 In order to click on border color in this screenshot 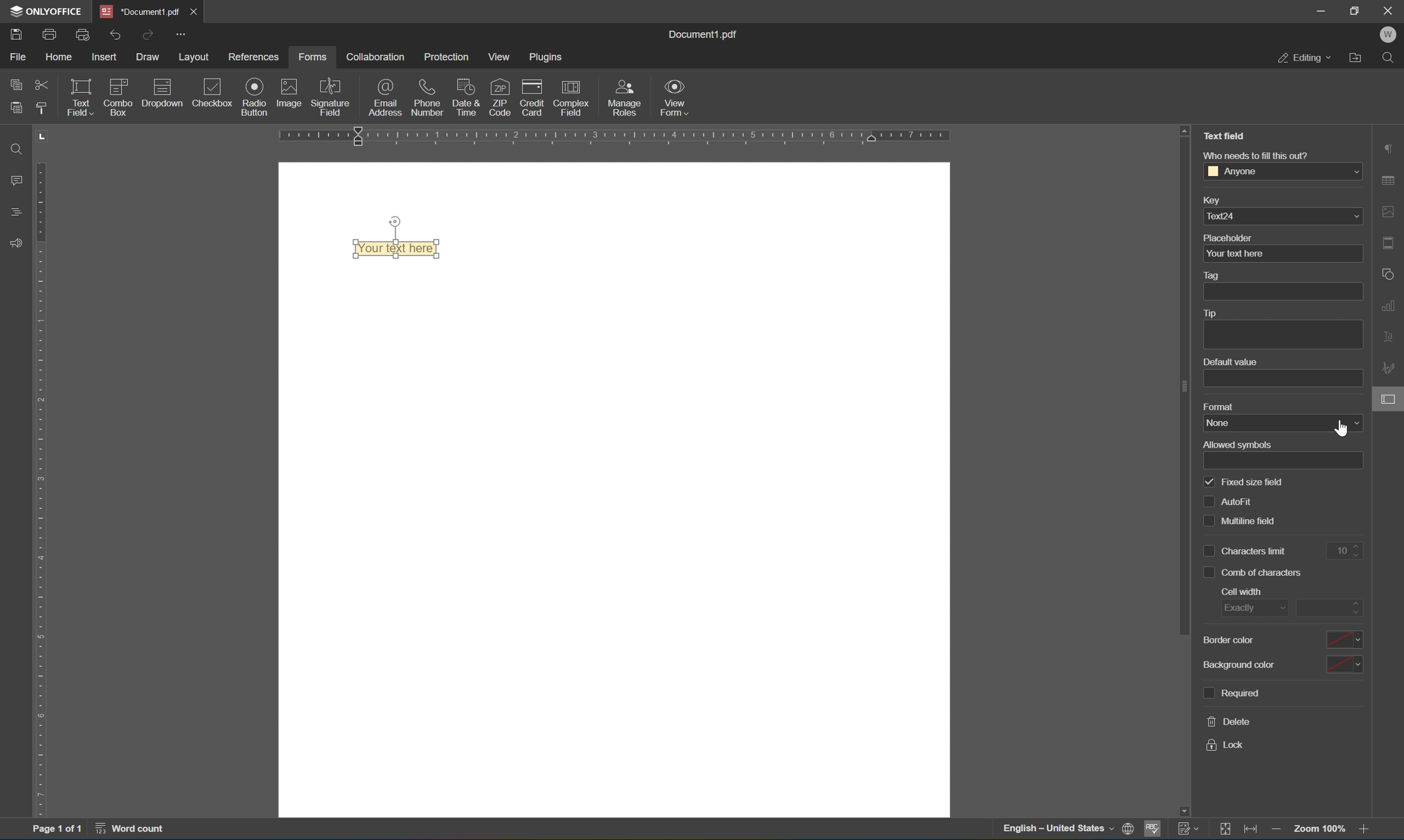, I will do `click(1229, 641)`.